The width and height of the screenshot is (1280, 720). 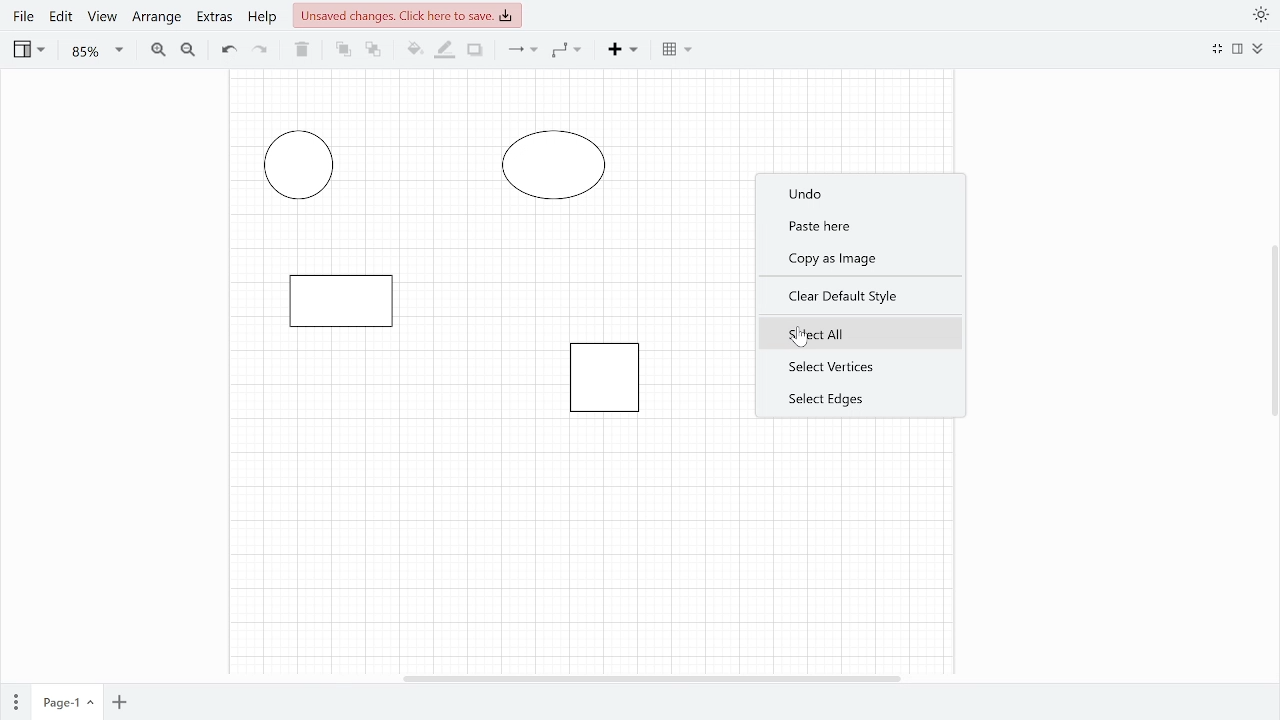 What do you see at coordinates (605, 376) in the screenshot?
I see `rectangle` at bounding box center [605, 376].